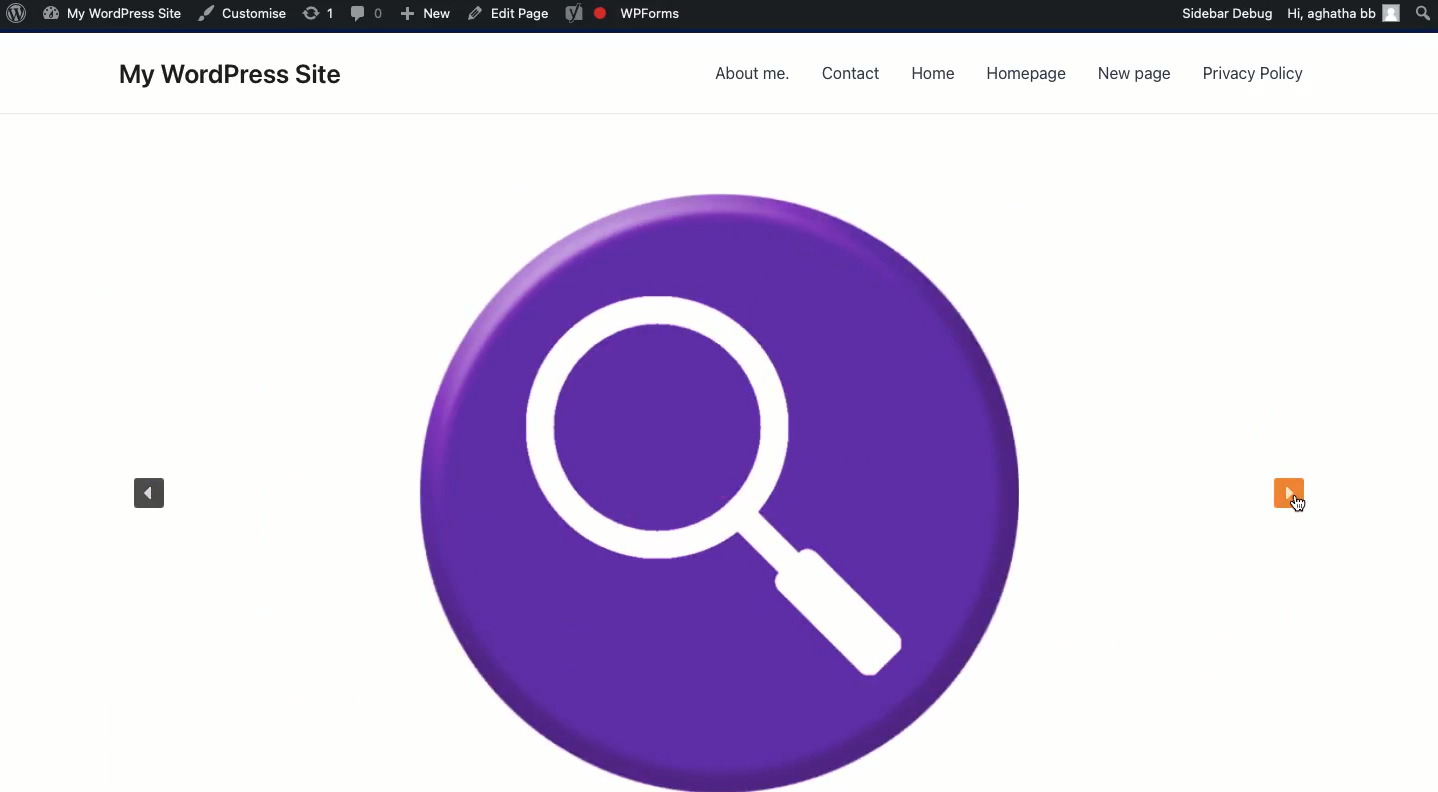 The width and height of the screenshot is (1438, 792). Describe the element at coordinates (19, 17) in the screenshot. I see `Wordpress` at that location.